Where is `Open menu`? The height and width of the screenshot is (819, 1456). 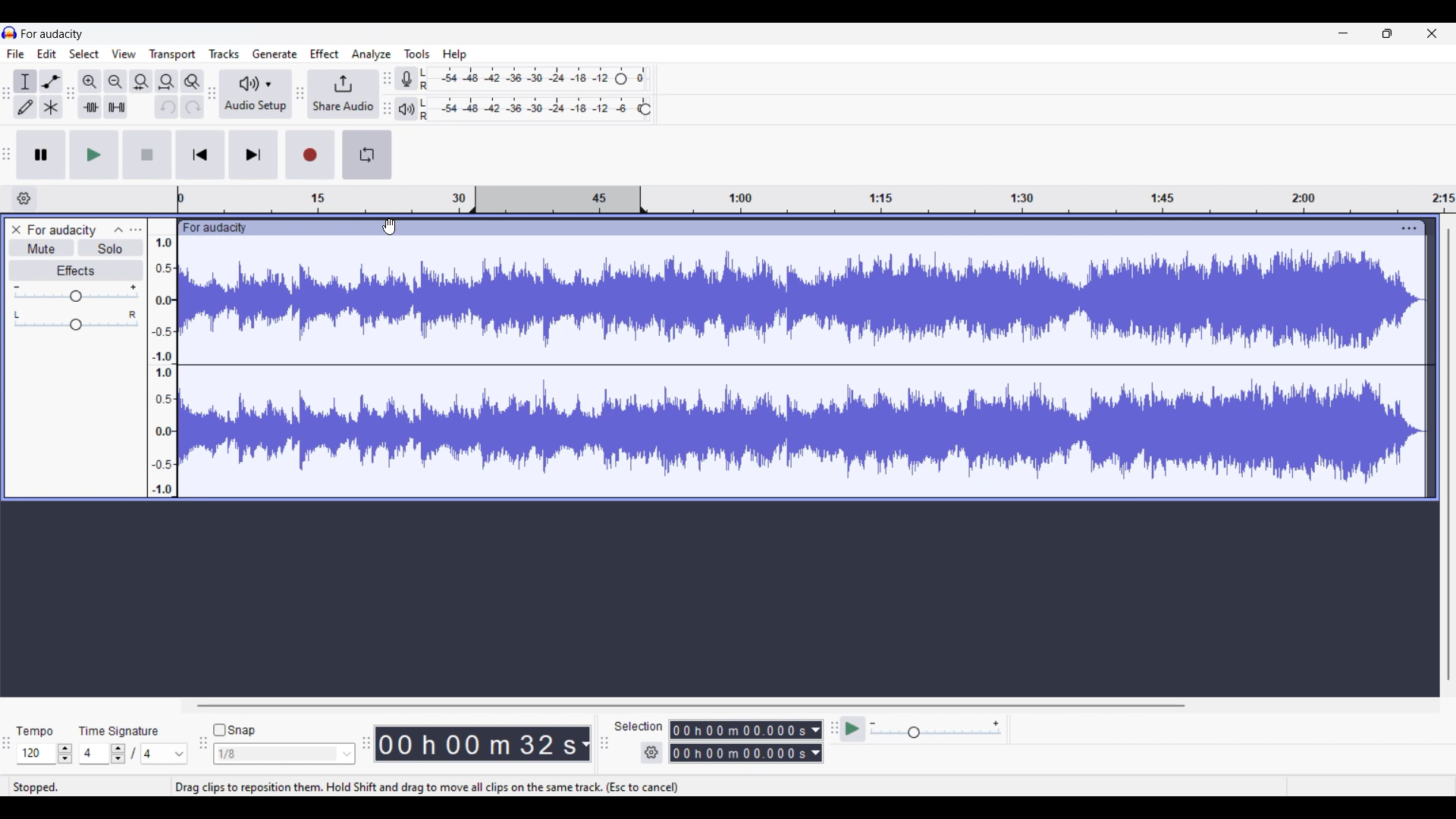 Open menu is located at coordinates (136, 230).